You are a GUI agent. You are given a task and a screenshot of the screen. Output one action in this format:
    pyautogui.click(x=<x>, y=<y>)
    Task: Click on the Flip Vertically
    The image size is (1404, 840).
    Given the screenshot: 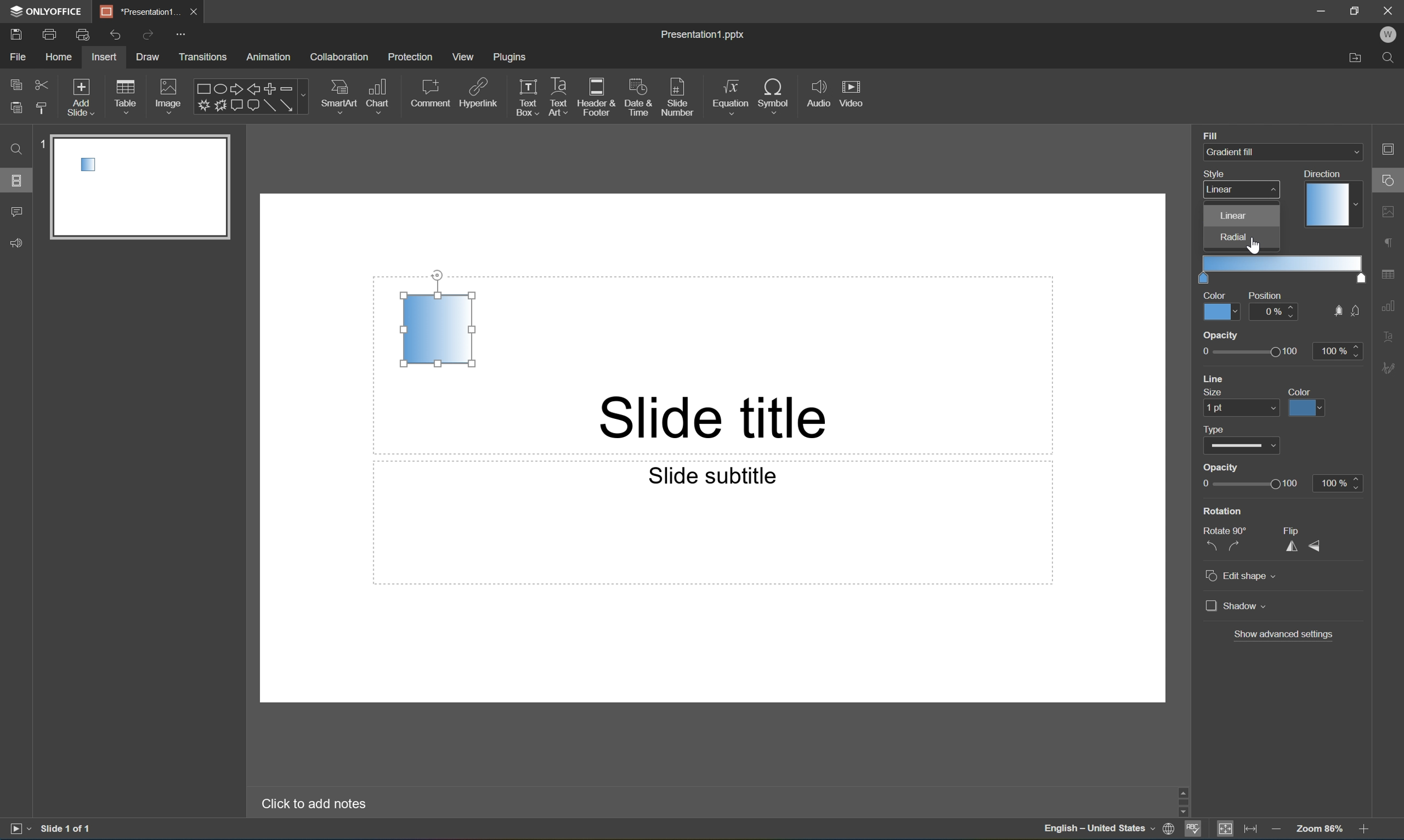 What is the action you would take?
    pyautogui.click(x=1316, y=546)
    